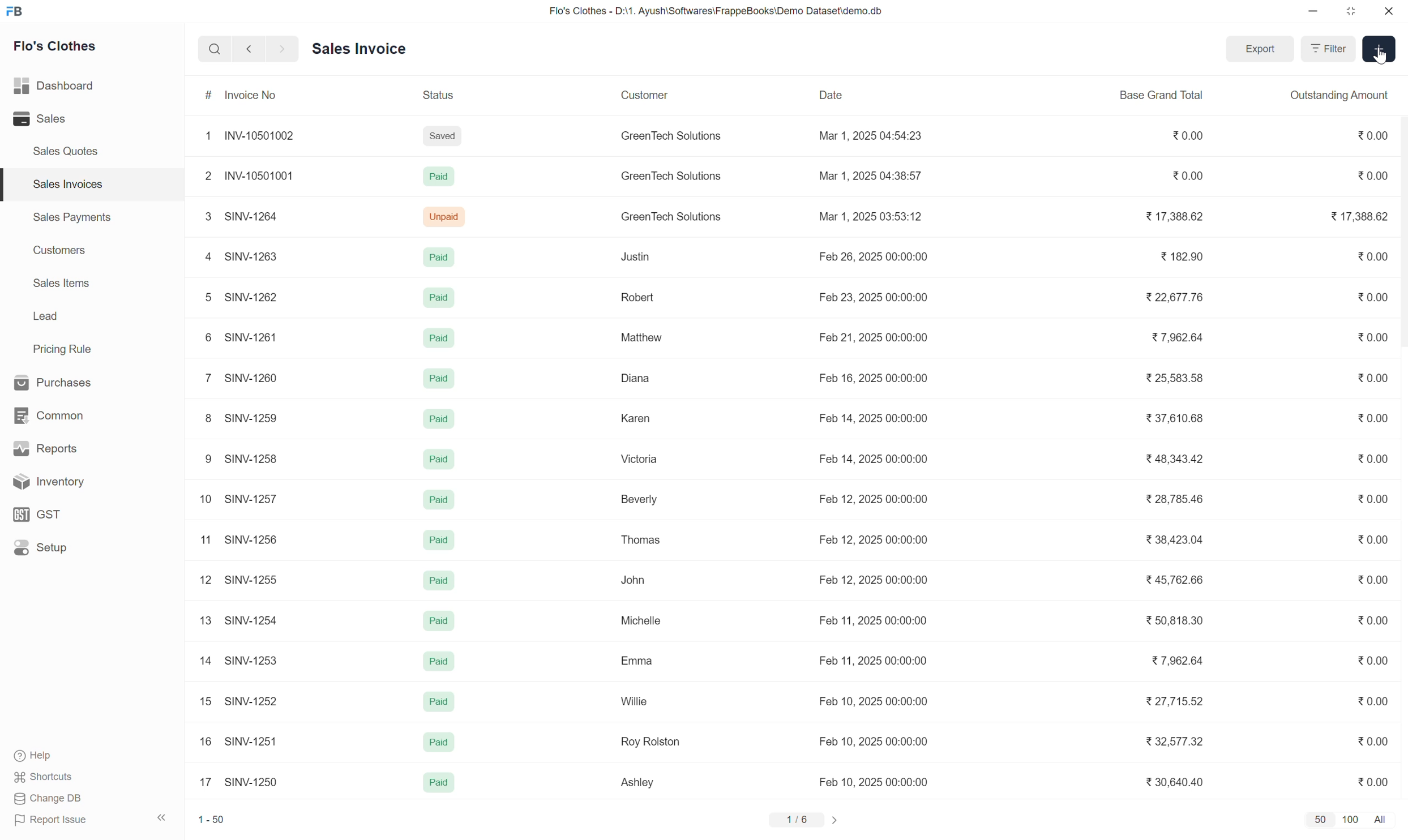 This screenshot has width=1408, height=840. Describe the element at coordinates (206, 420) in the screenshot. I see `8` at that location.